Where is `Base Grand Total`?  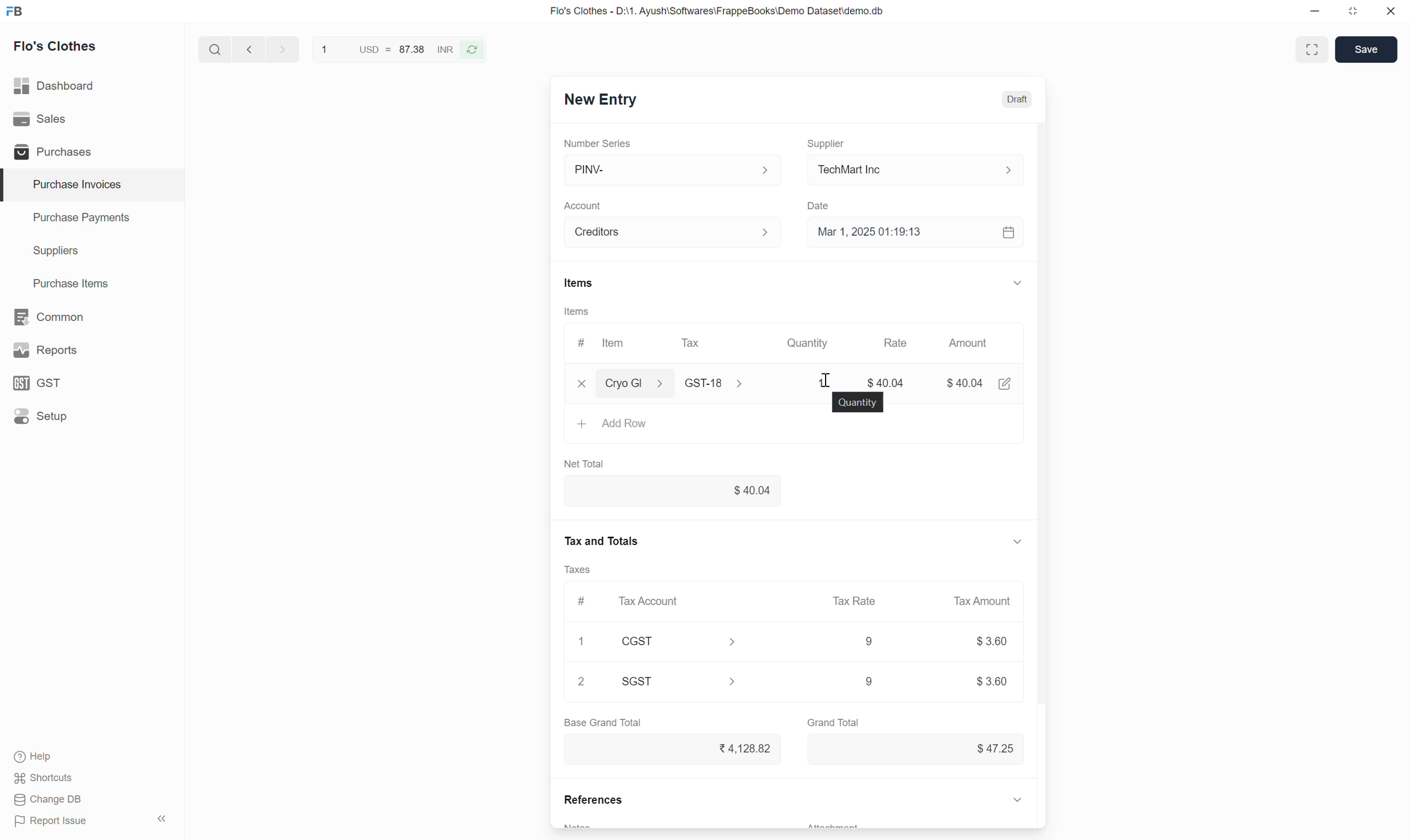 Base Grand Total is located at coordinates (603, 722).